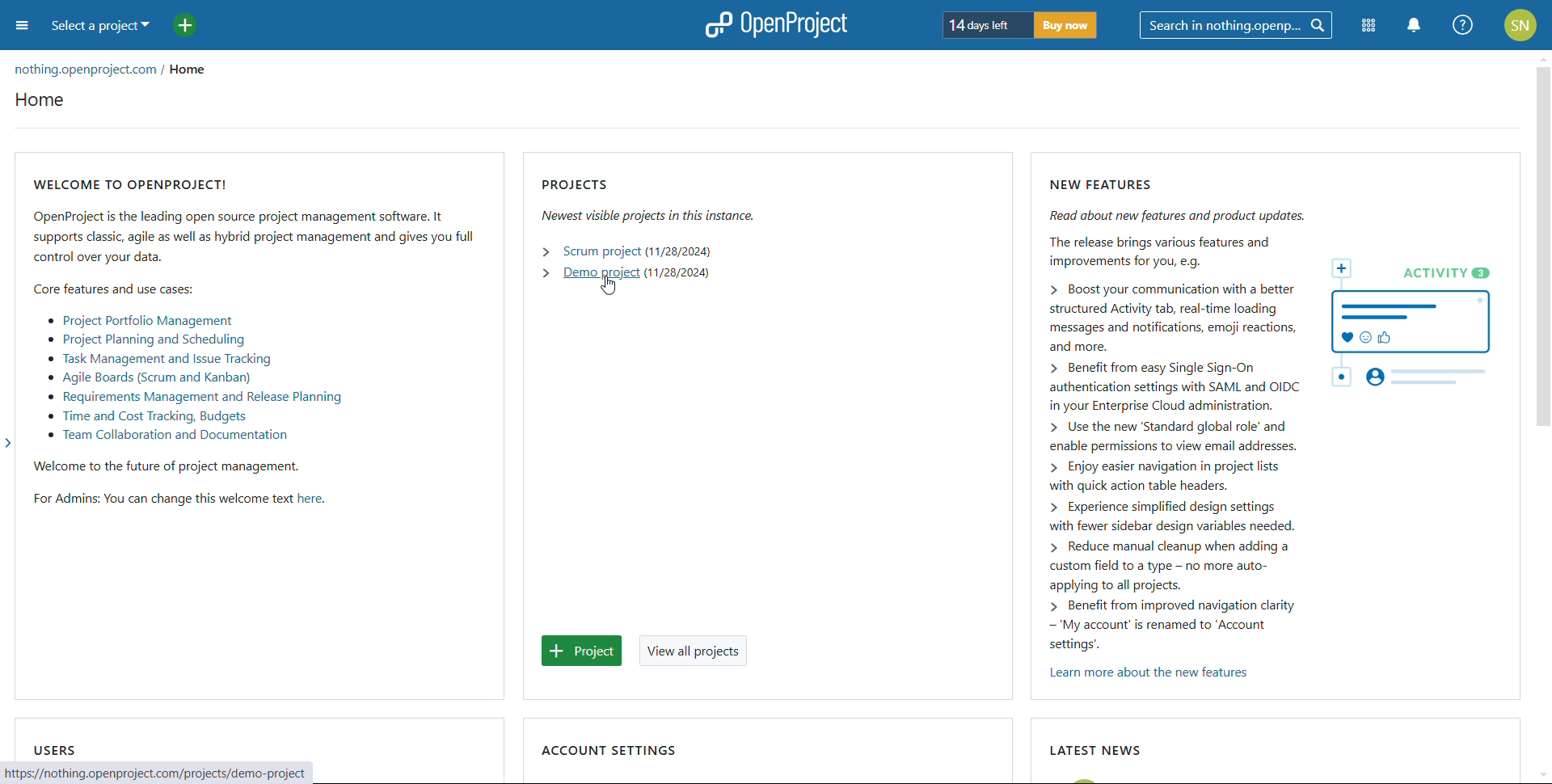 The image size is (1552, 784). What do you see at coordinates (601, 251) in the screenshot?
I see `scrum project` at bounding box center [601, 251].